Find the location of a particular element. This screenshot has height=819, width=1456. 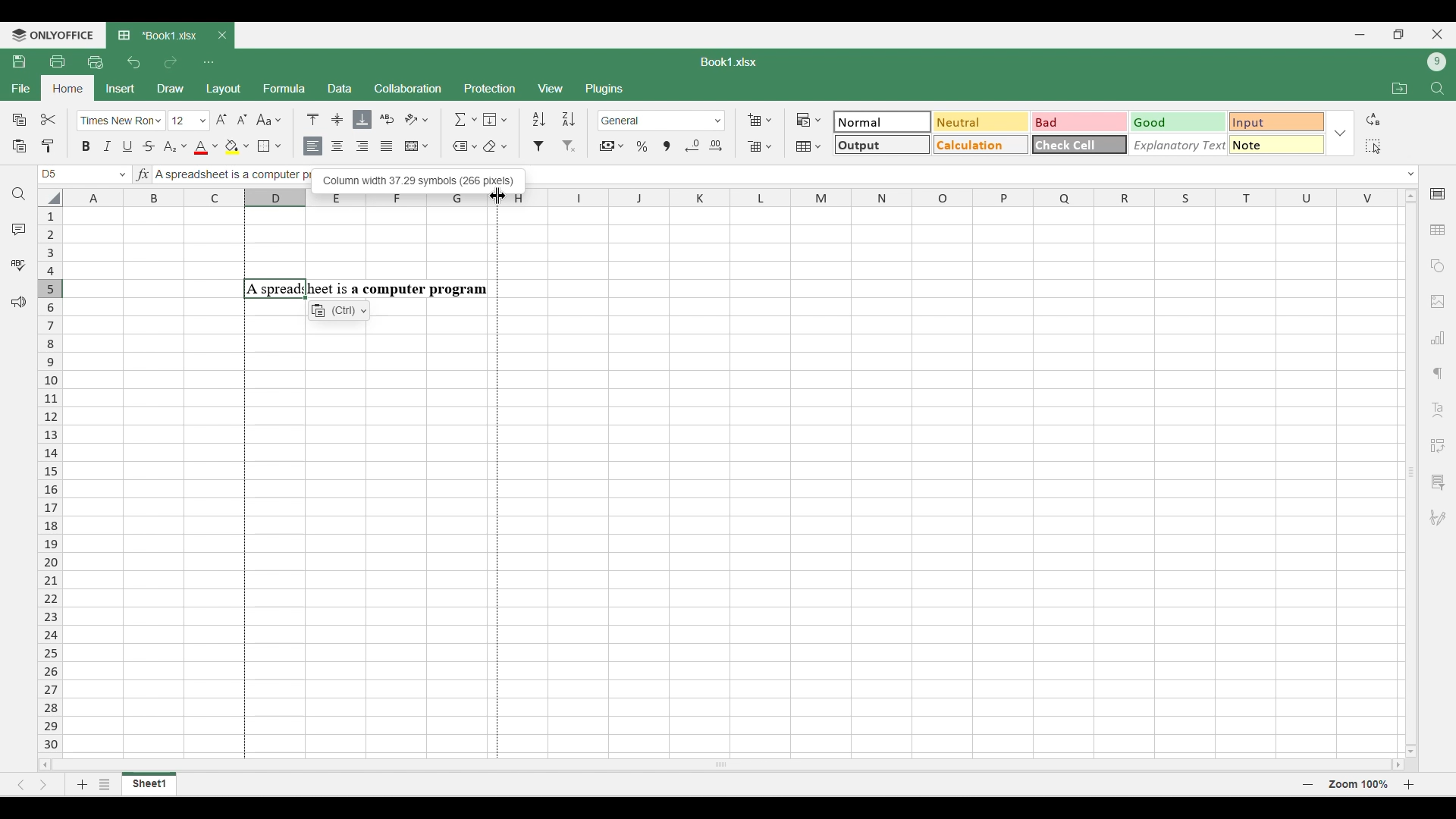

Paragraph settings is located at coordinates (1438, 374).